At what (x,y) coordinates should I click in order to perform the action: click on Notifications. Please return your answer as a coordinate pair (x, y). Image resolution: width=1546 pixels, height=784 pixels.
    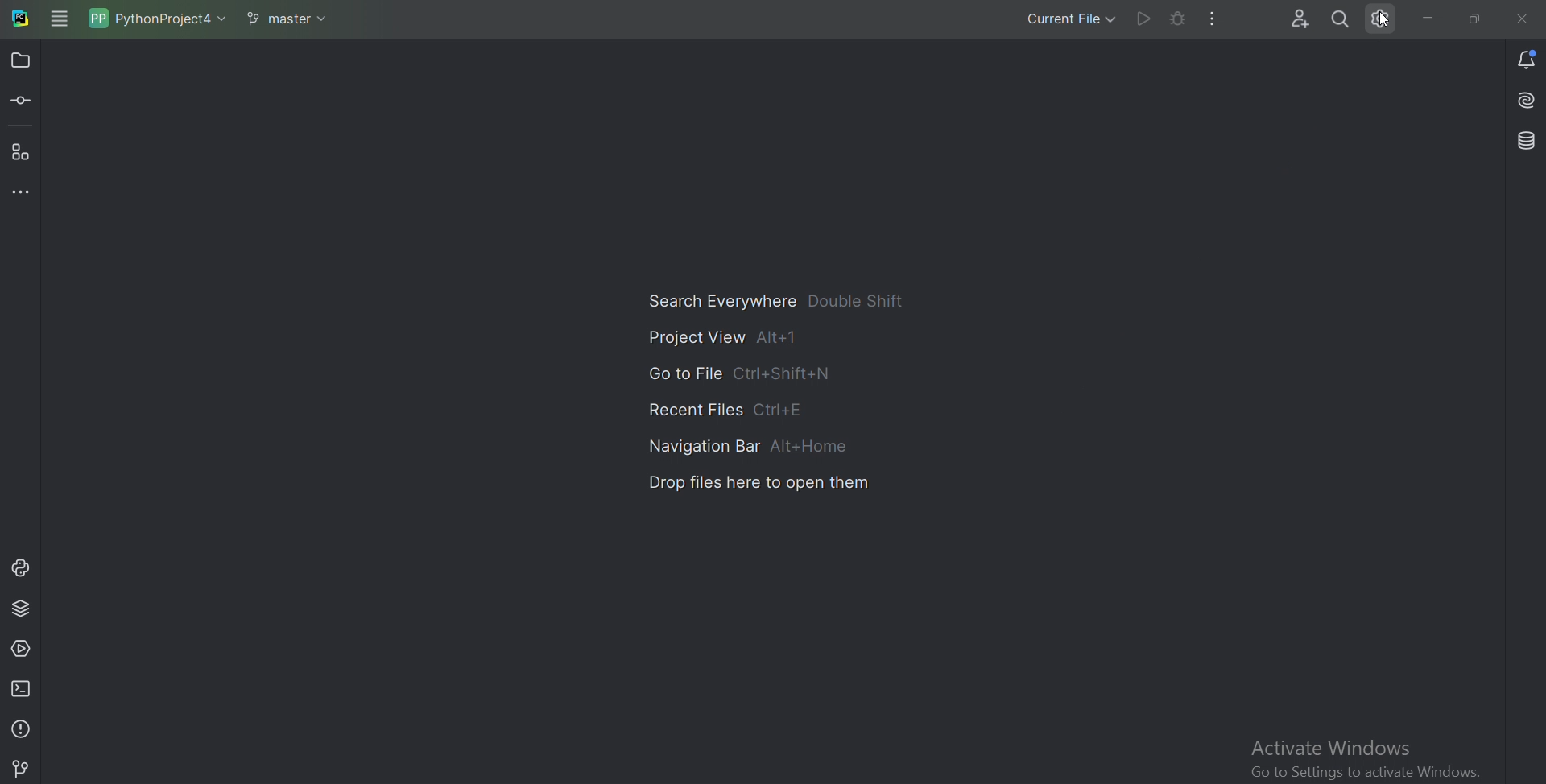
    Looking at the image, I should click on (1515, 61).